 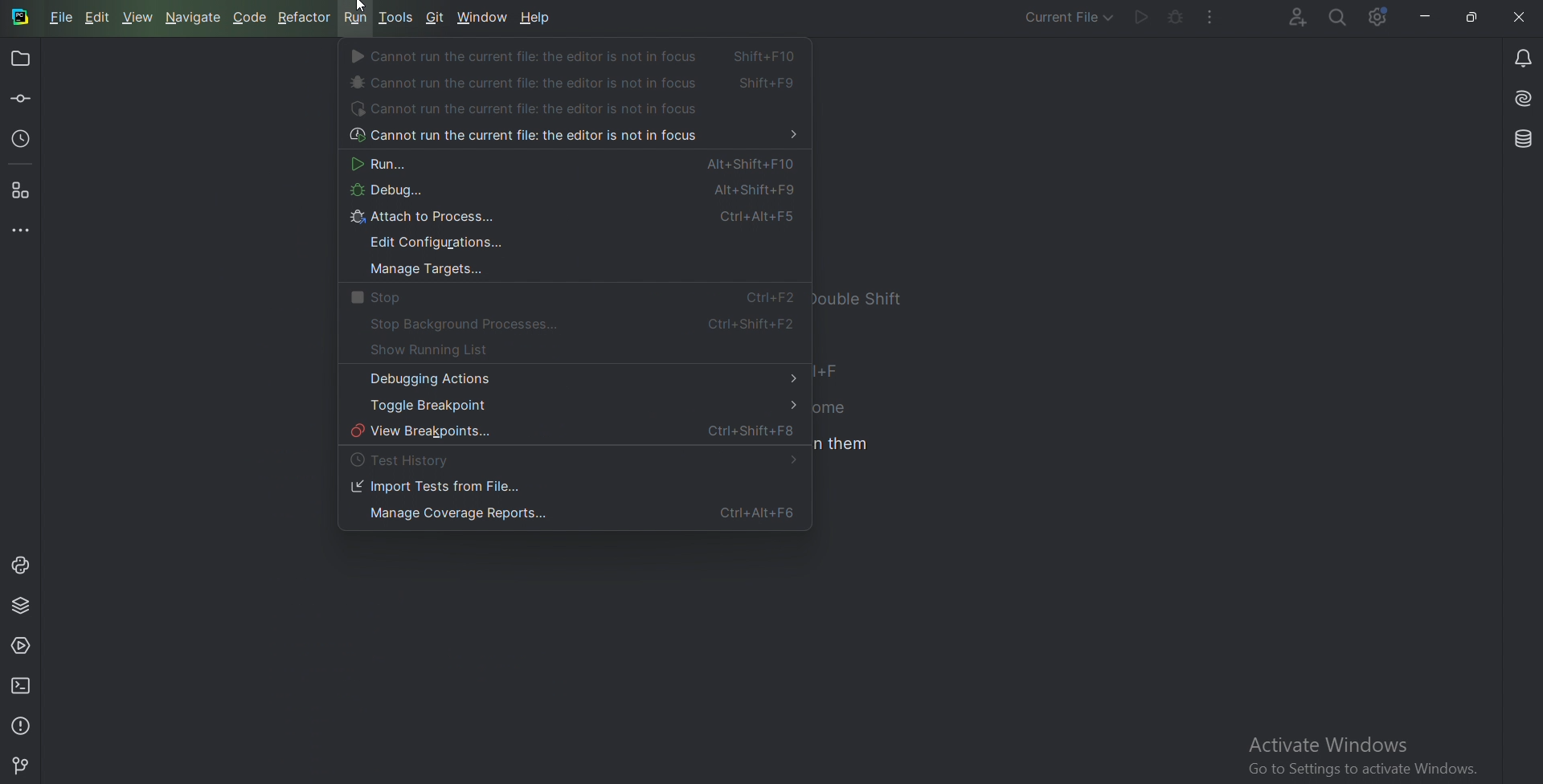 I want to click on Show running list, so click(x=444, y=351).